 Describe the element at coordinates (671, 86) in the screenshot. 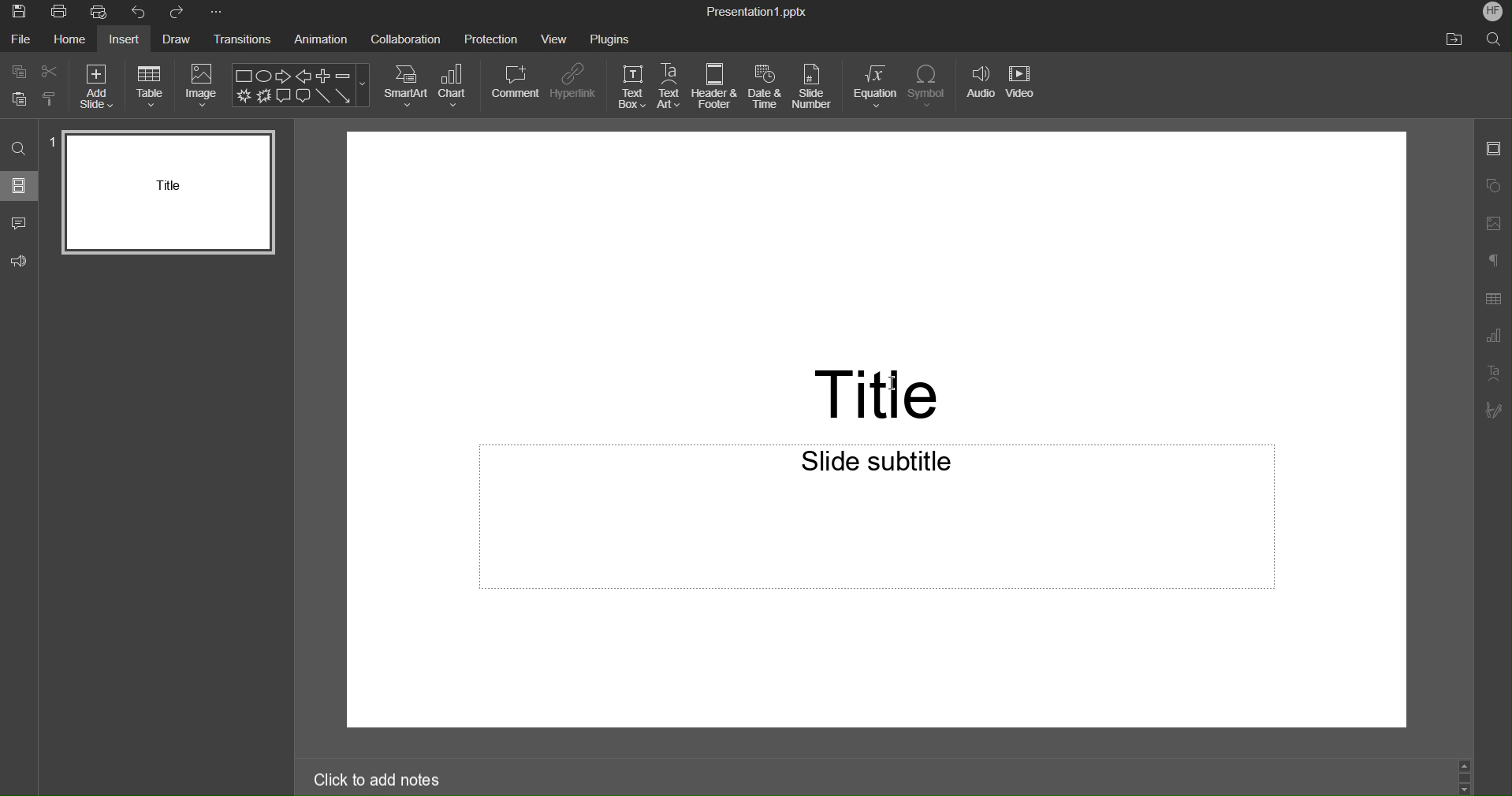

I see `TextArt` at that location.